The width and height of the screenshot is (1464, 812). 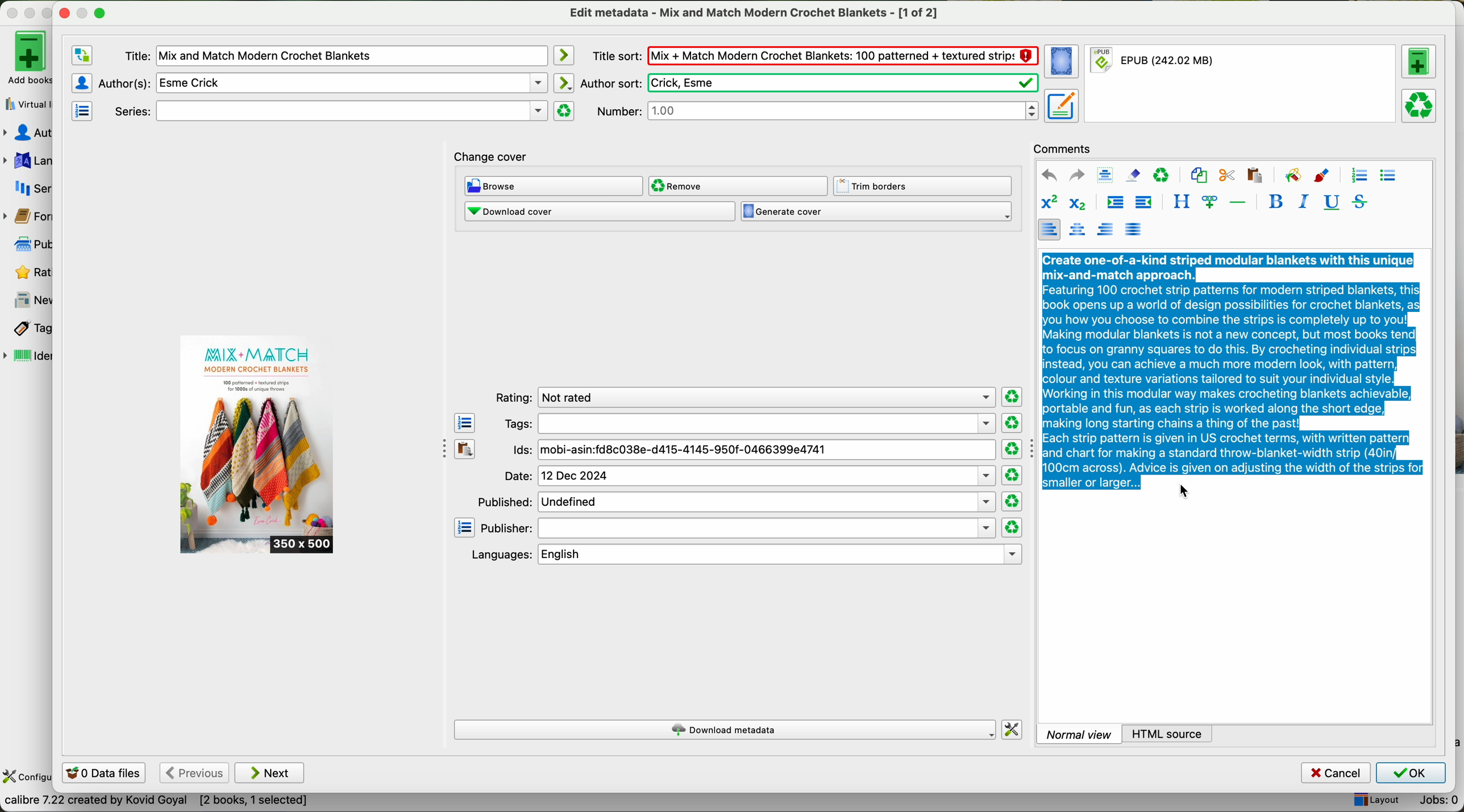 What do you see at coordinates (465, 423) in the screenshot?
I see `open the tag editor` at bounding box center [465, 423].